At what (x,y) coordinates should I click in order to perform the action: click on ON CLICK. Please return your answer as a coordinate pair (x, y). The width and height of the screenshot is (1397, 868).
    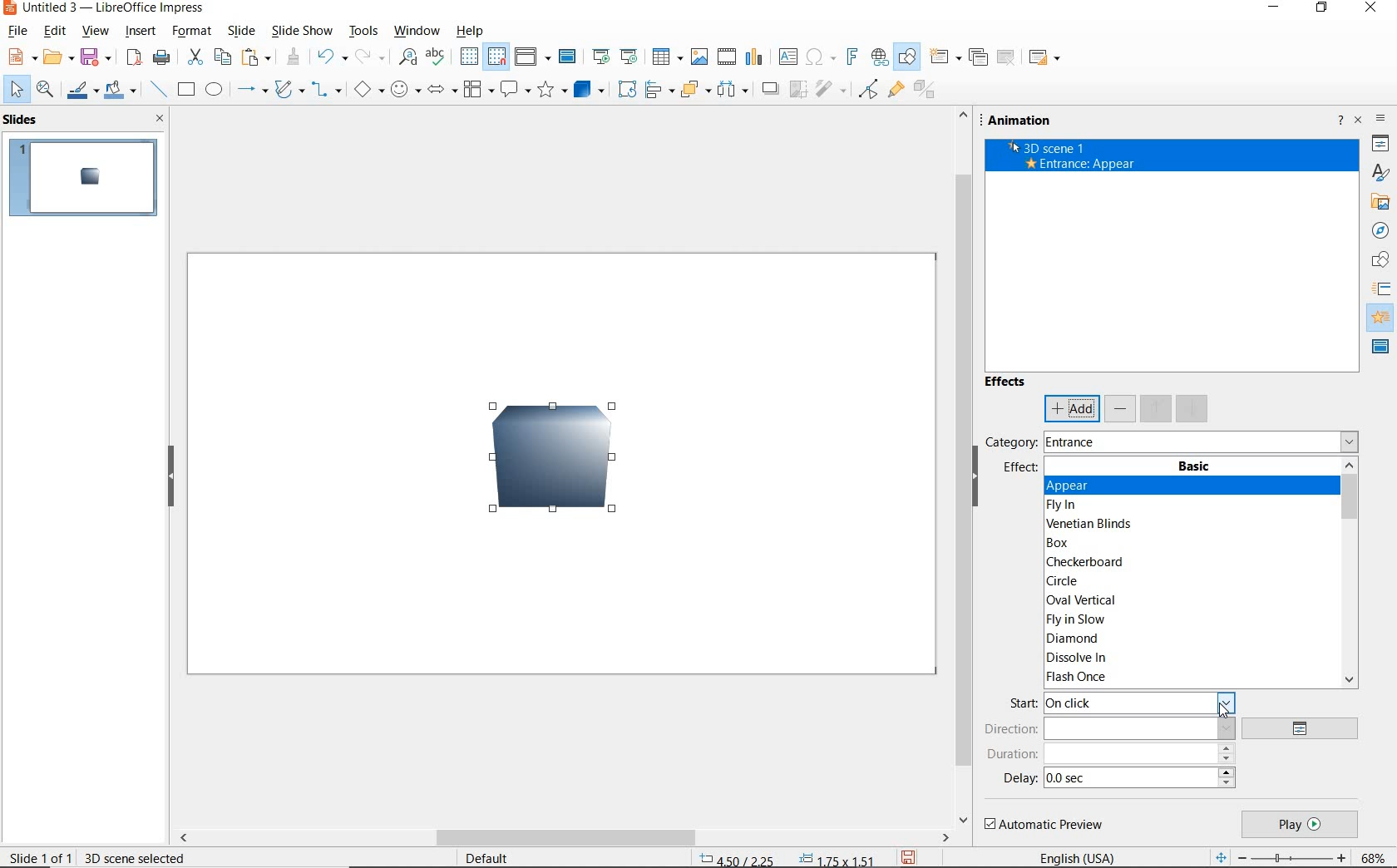
    Looking at the image, I should click on (1141, 702).